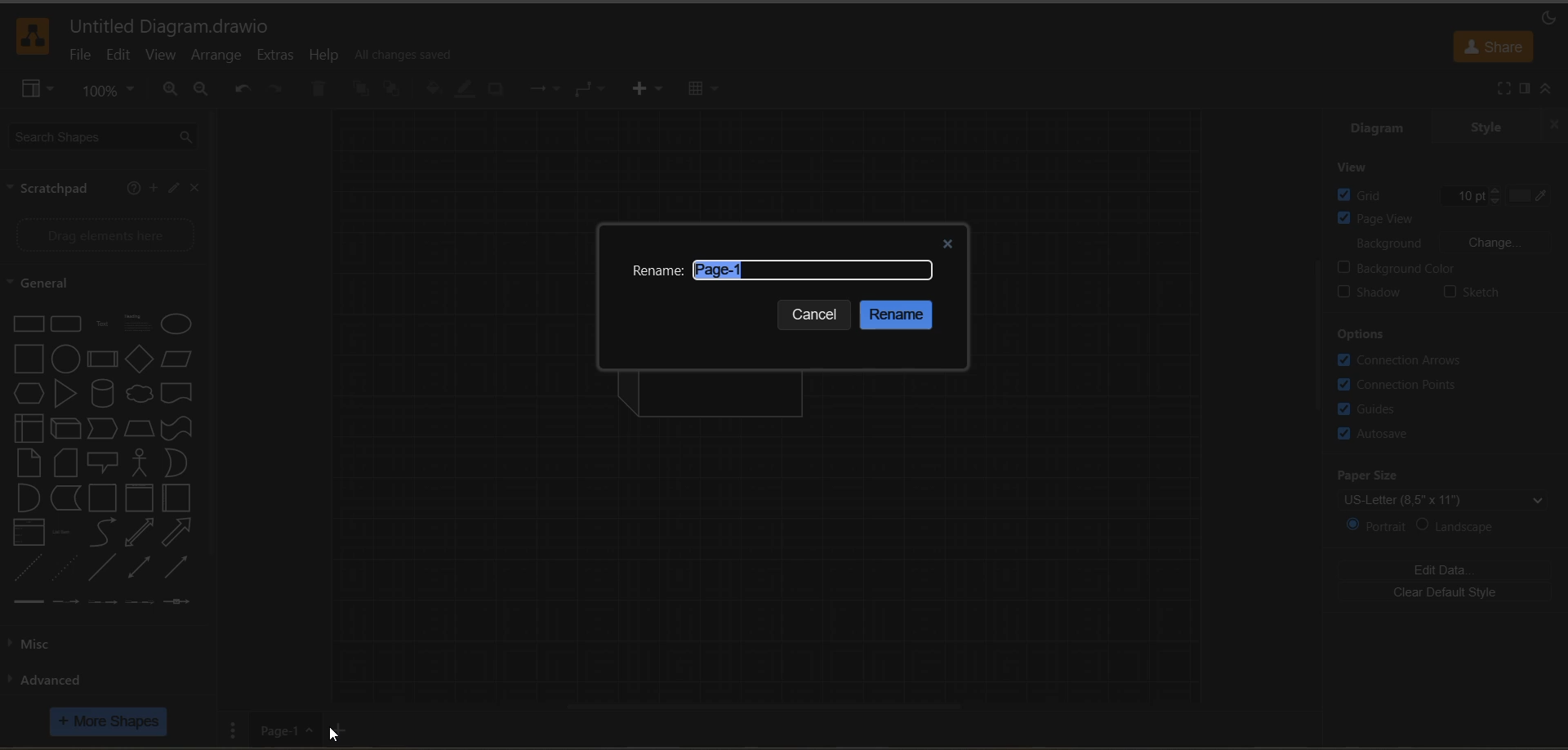  I want to click on fullscreen, so click(1504, 89).